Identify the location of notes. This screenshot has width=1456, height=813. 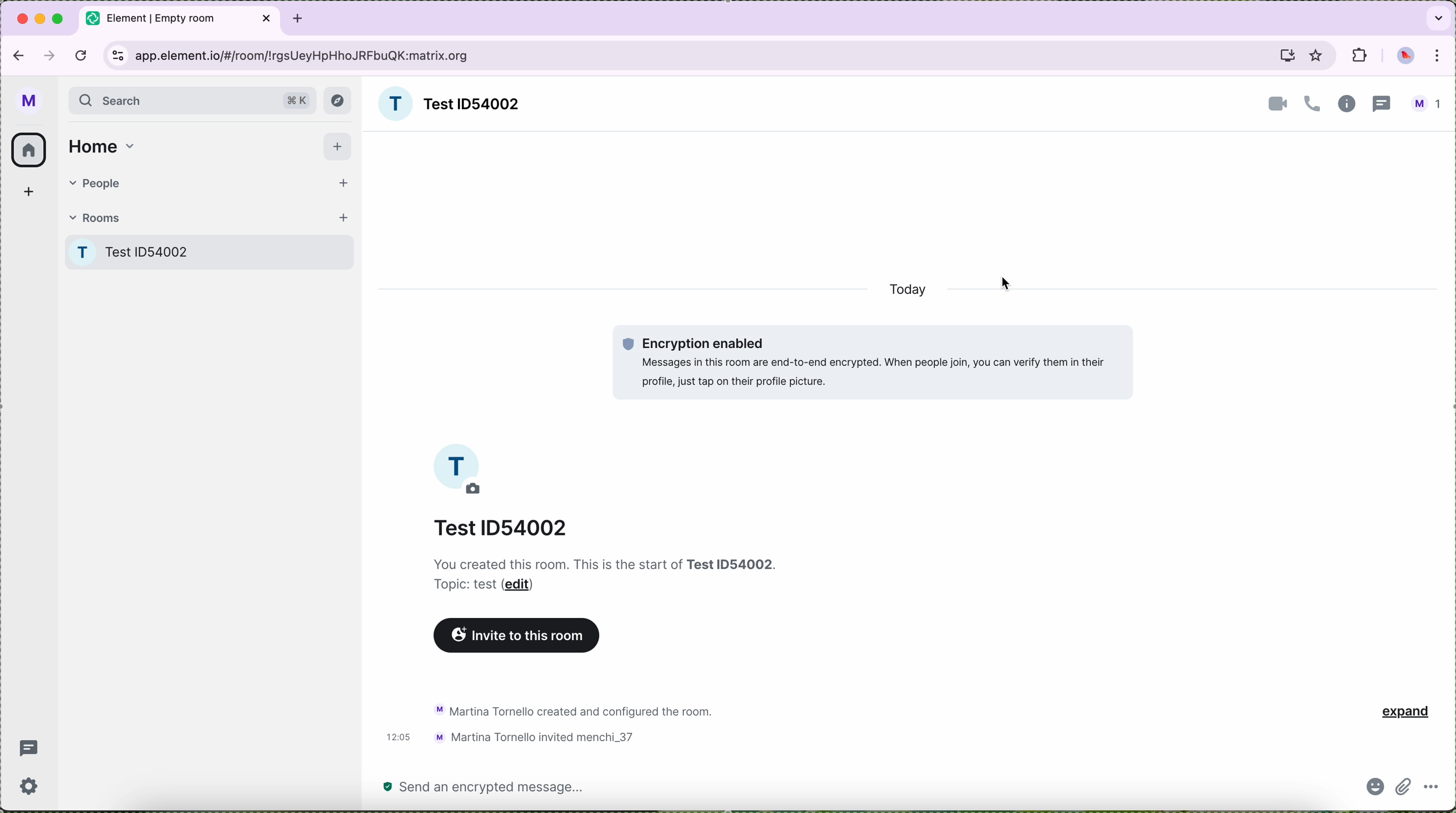
(608, 572).